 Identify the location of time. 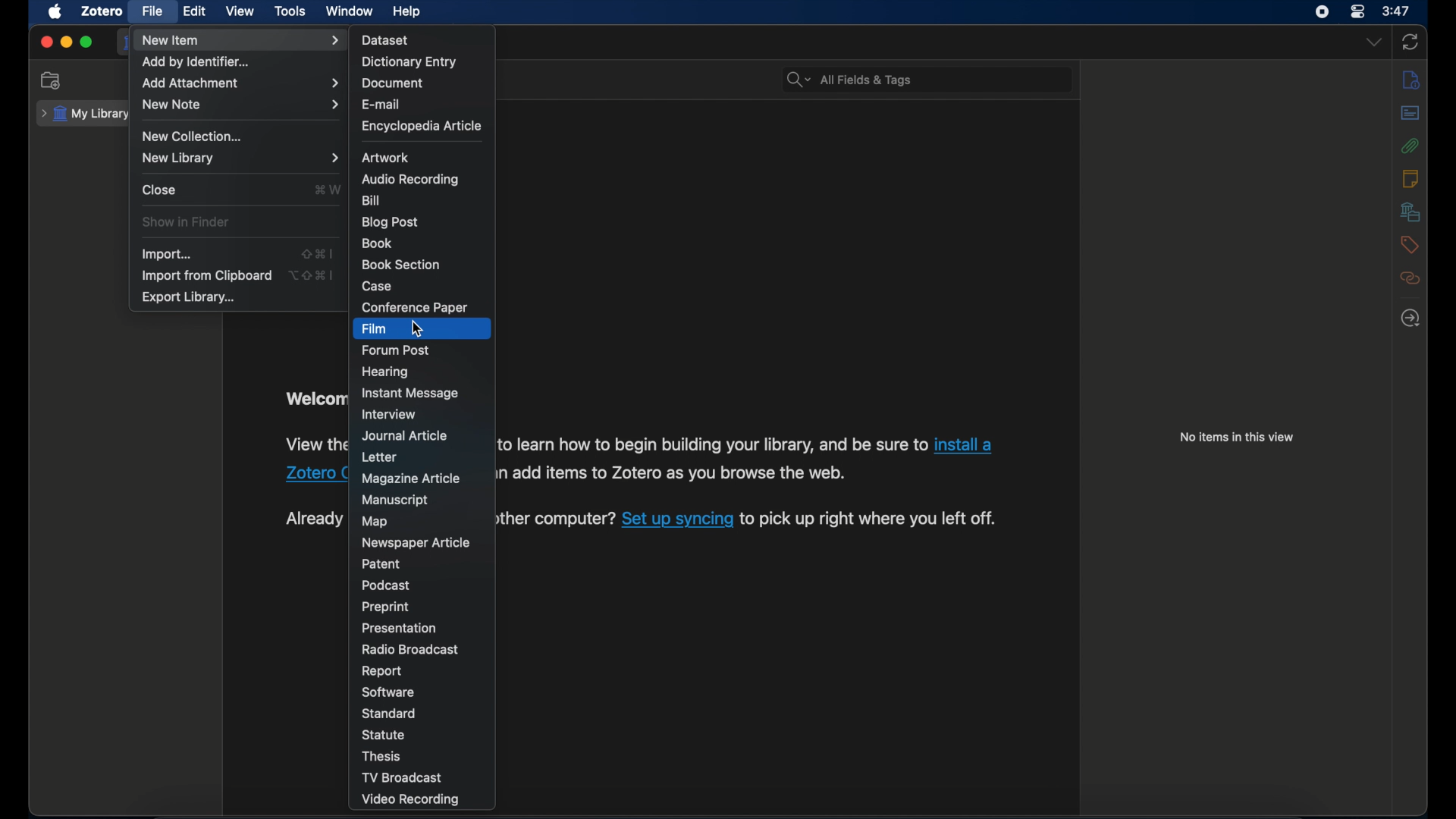
(1397, 10).